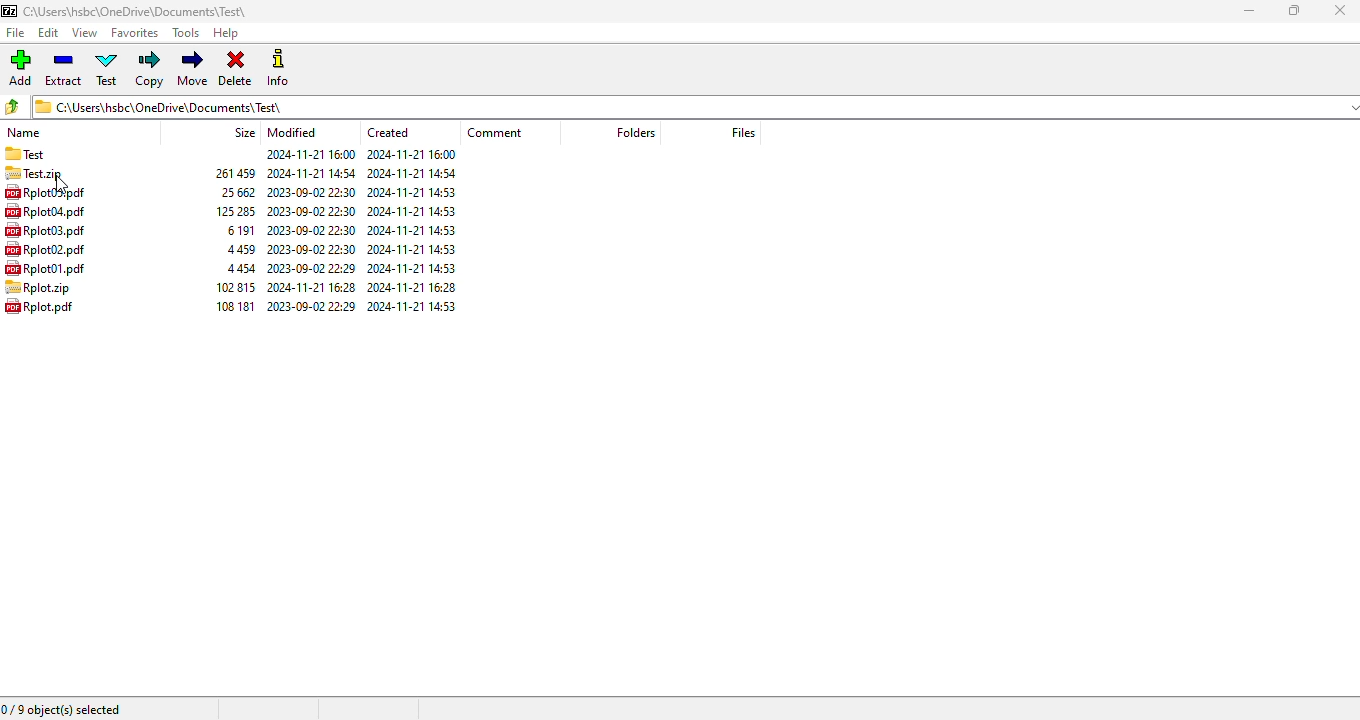 The height and width of the screenshot is (720, 1360). Describe the element at coordinates (15, 33) in the screenshot. I see `file` at that location.